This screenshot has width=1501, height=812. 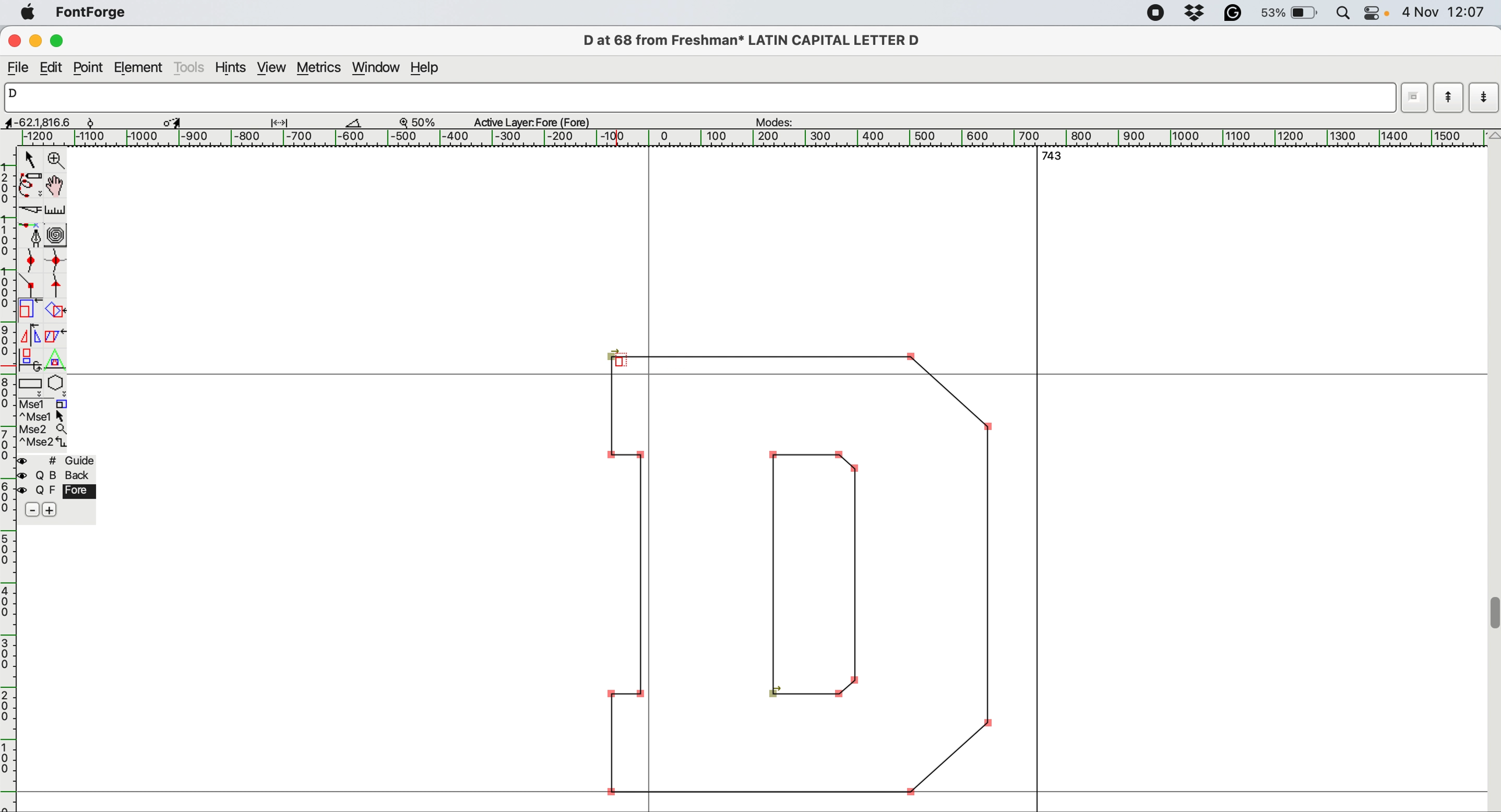 I want to click on font forge, so click(x=94, y=12).